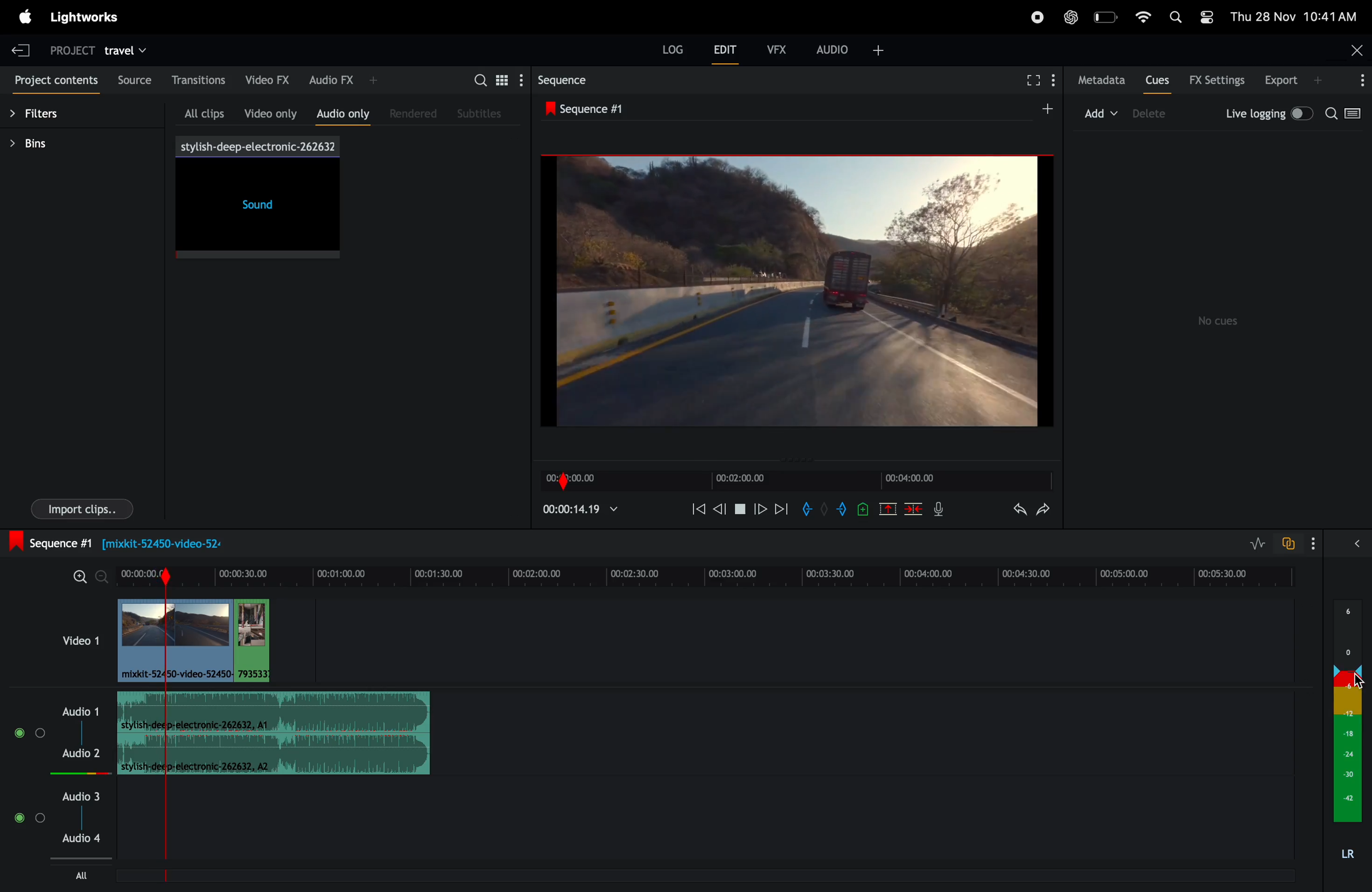 The height and width of the screenshot is (892, 1372). I want to click on nudge back one fame, so click(721, 507).